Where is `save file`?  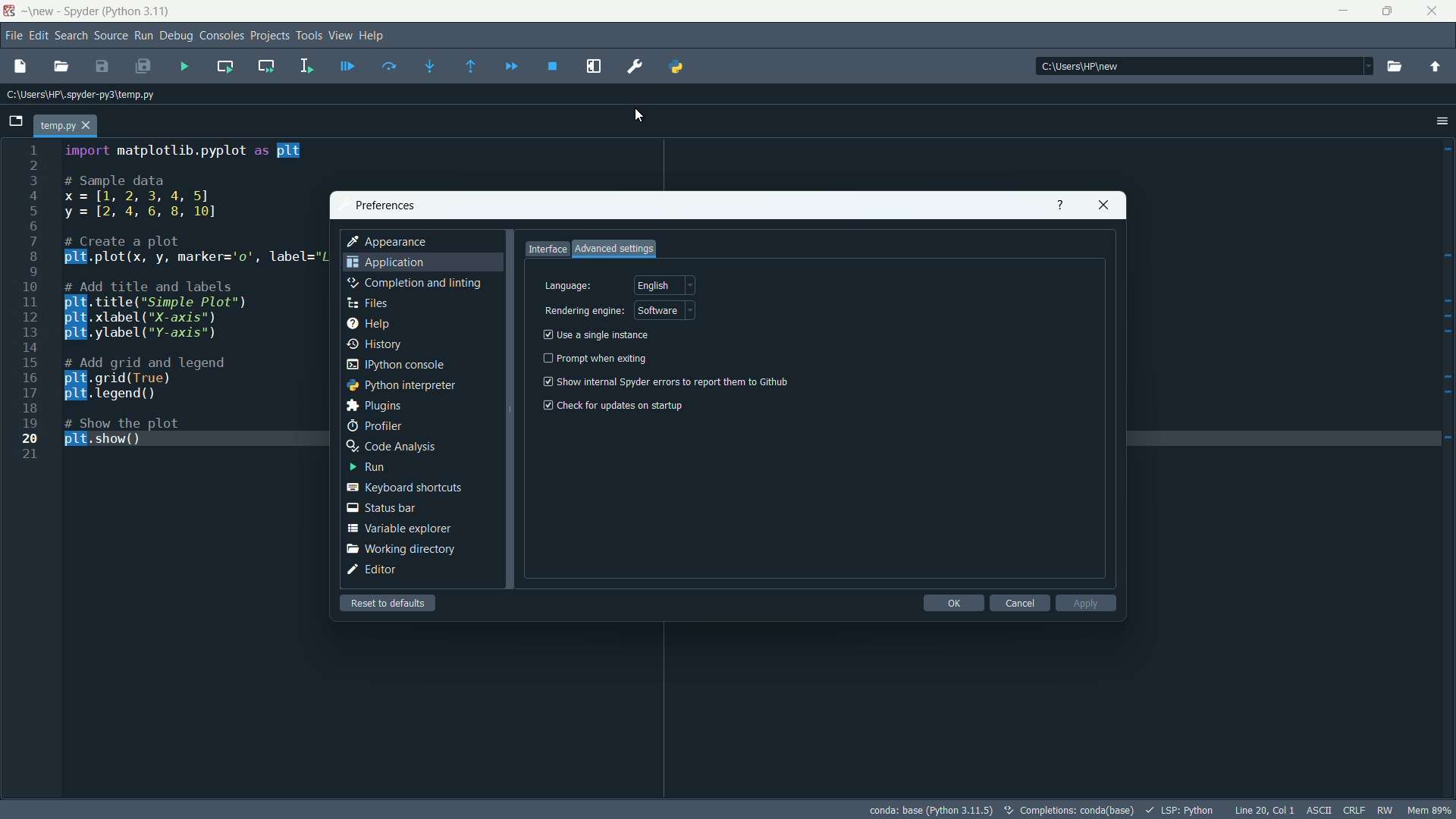 save file is located at coordinates (103, 67).